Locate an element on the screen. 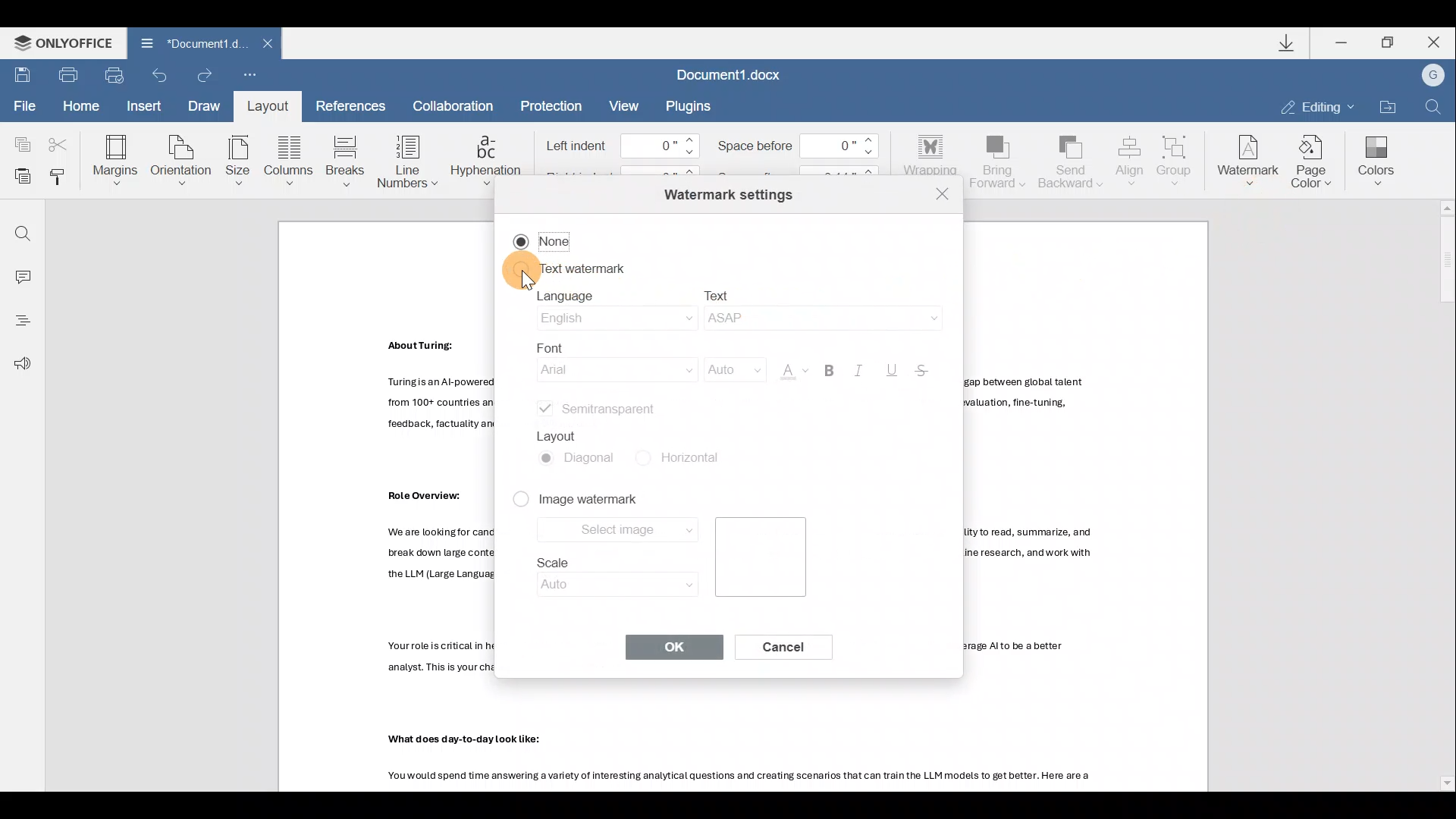 This screenshot has height=819, width=1456. Collaboration is located at coordinates (460, 105).